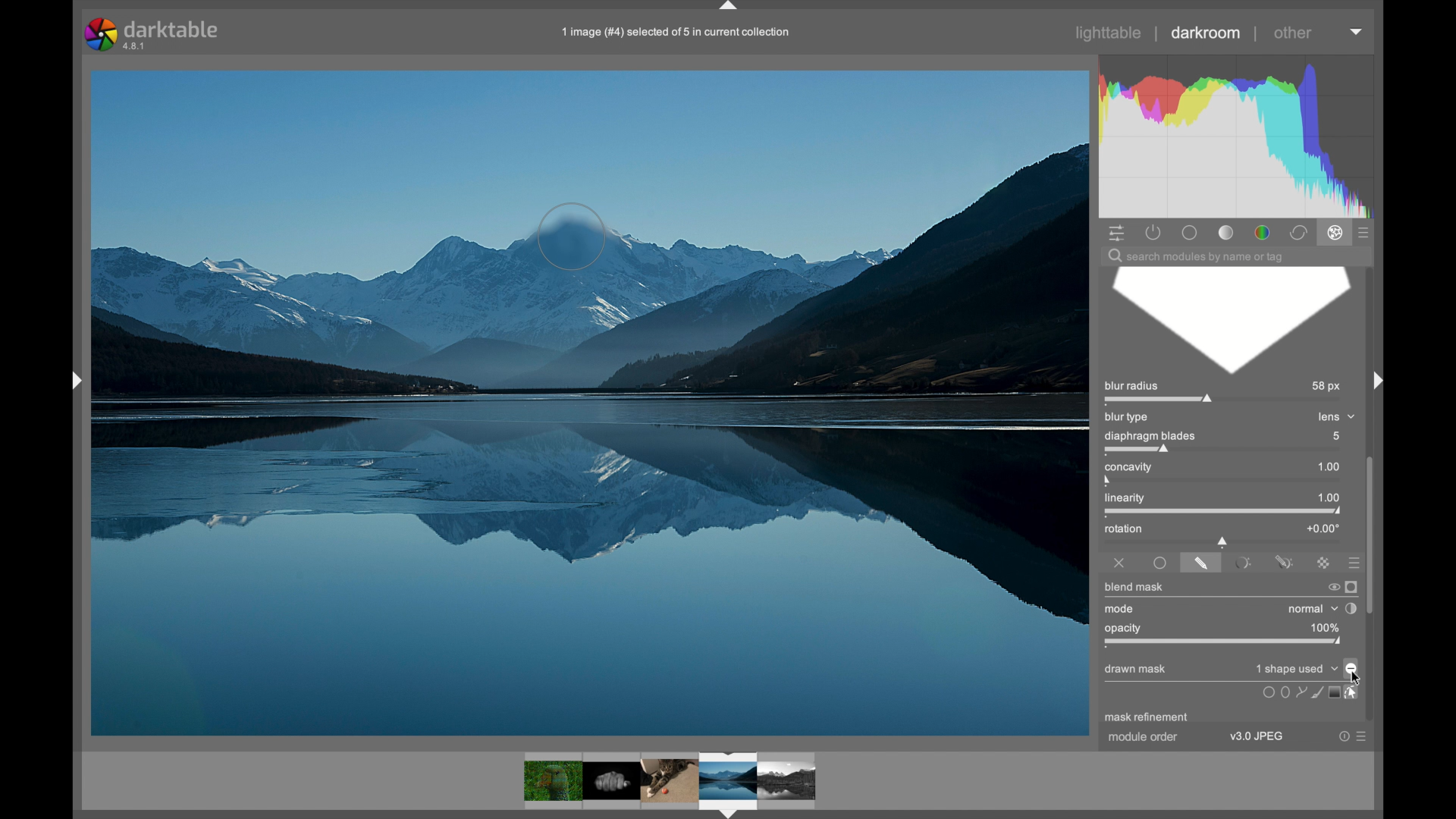  What do you see at coordinates (1126, 472) in the screenshot?
I see `concavity` at bounding box center [1126, 472].